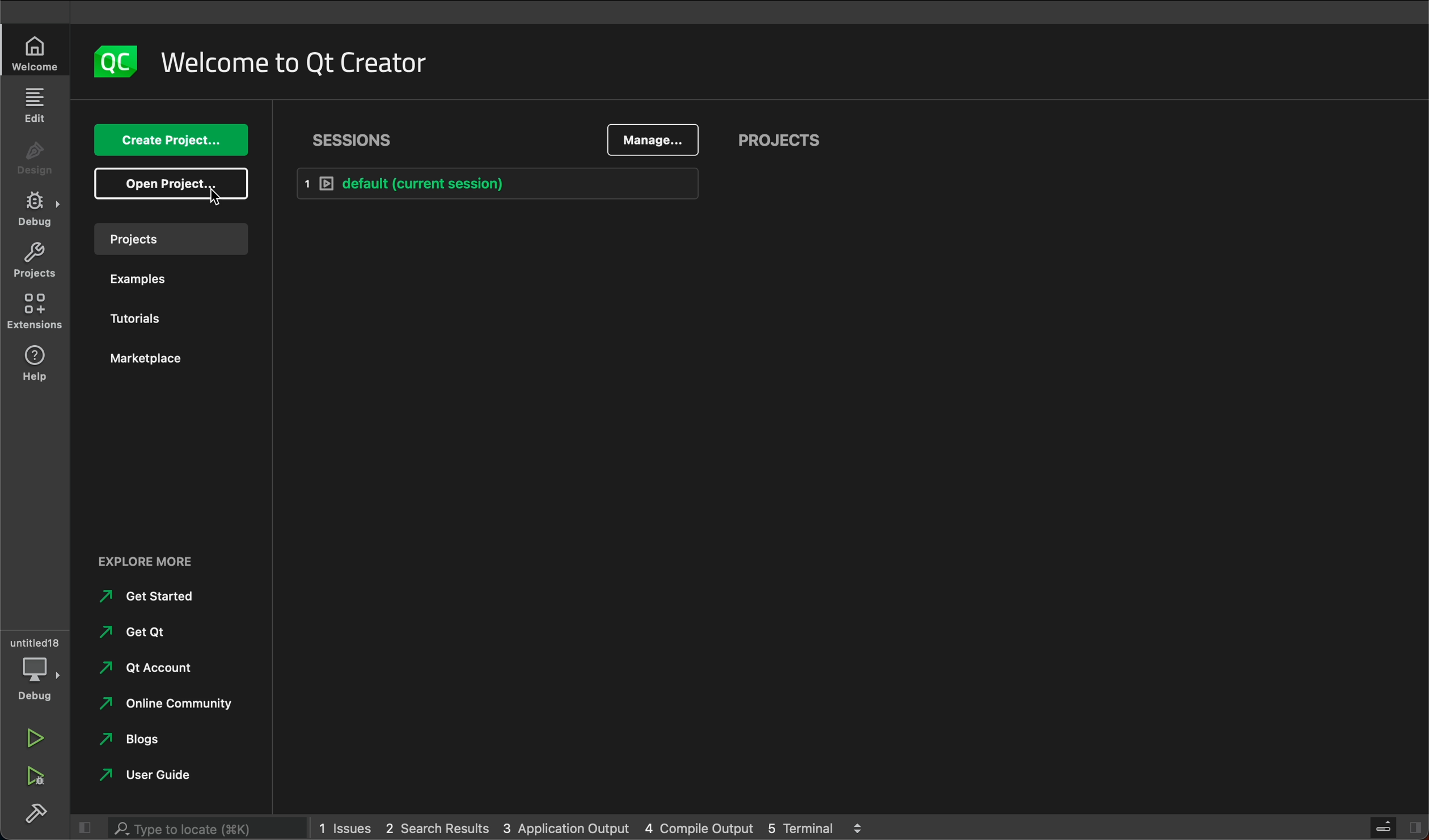 This screenshot has width=1429, height=840. What do you see at coordinates (39, 209) in the screenshot?
I see `debug` at bounding box center [39, 209].